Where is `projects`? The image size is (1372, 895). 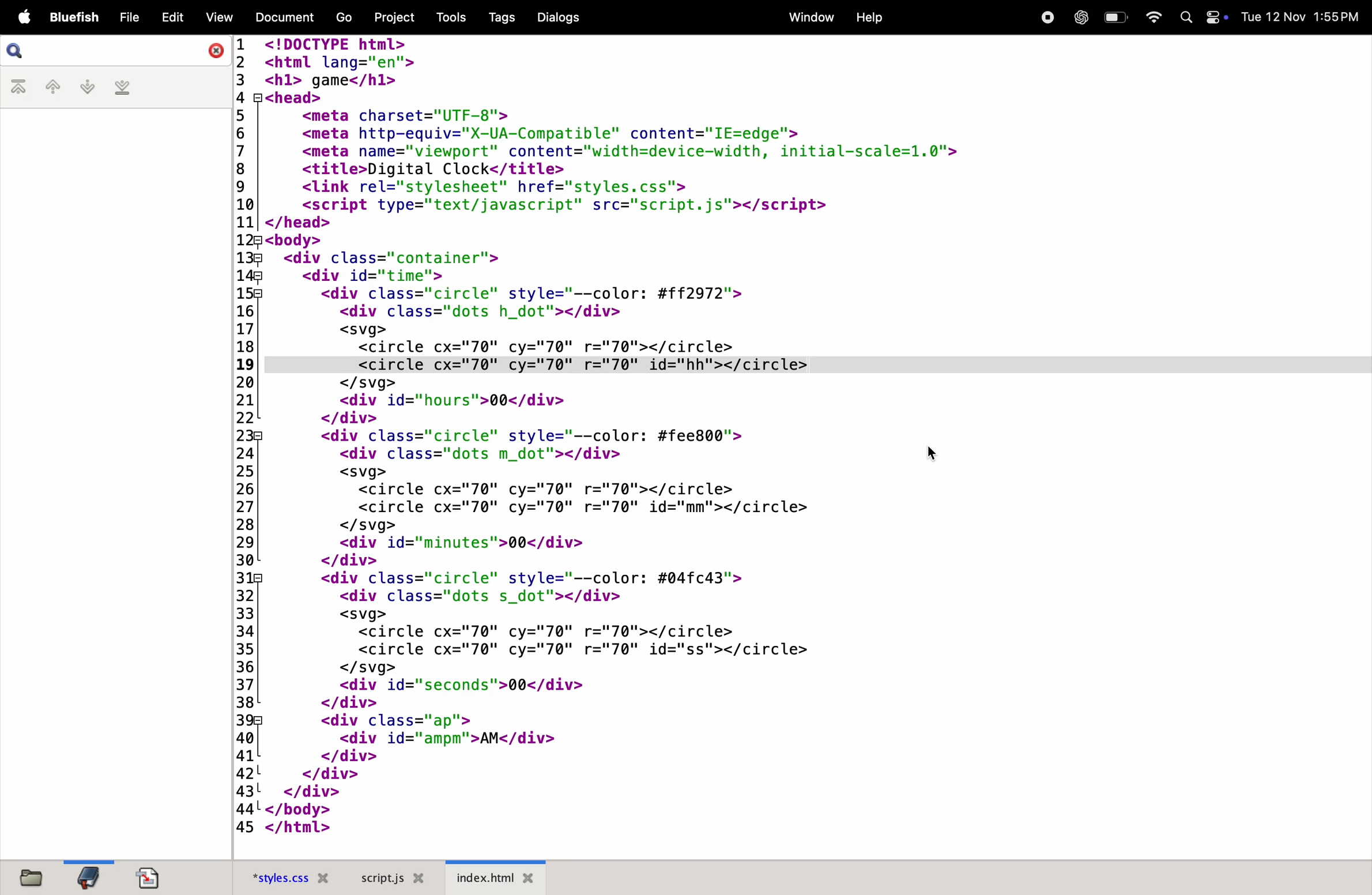 projects is located at coordinates (389, 17).